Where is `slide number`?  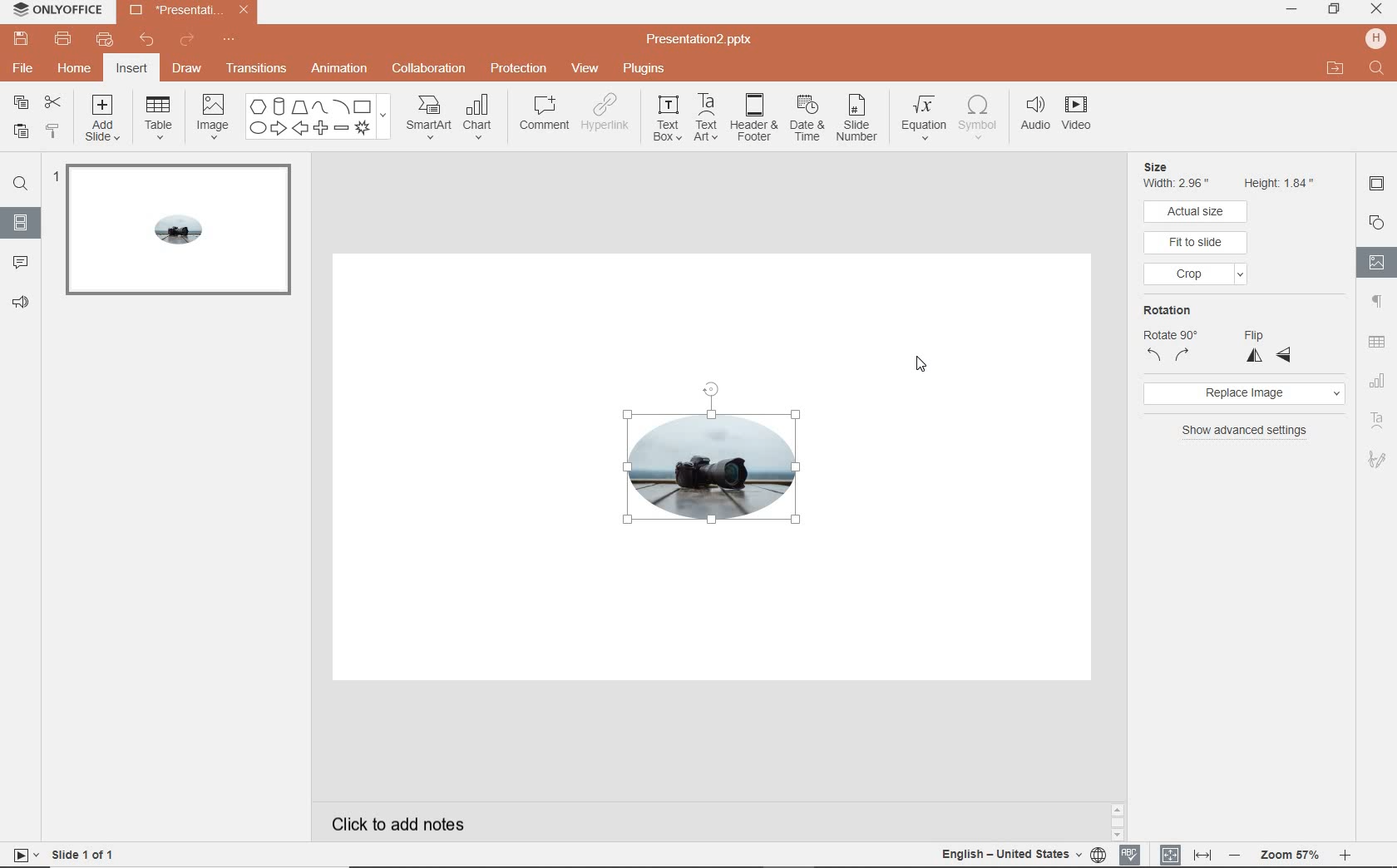
slide number is located at coordinates (860, 117).